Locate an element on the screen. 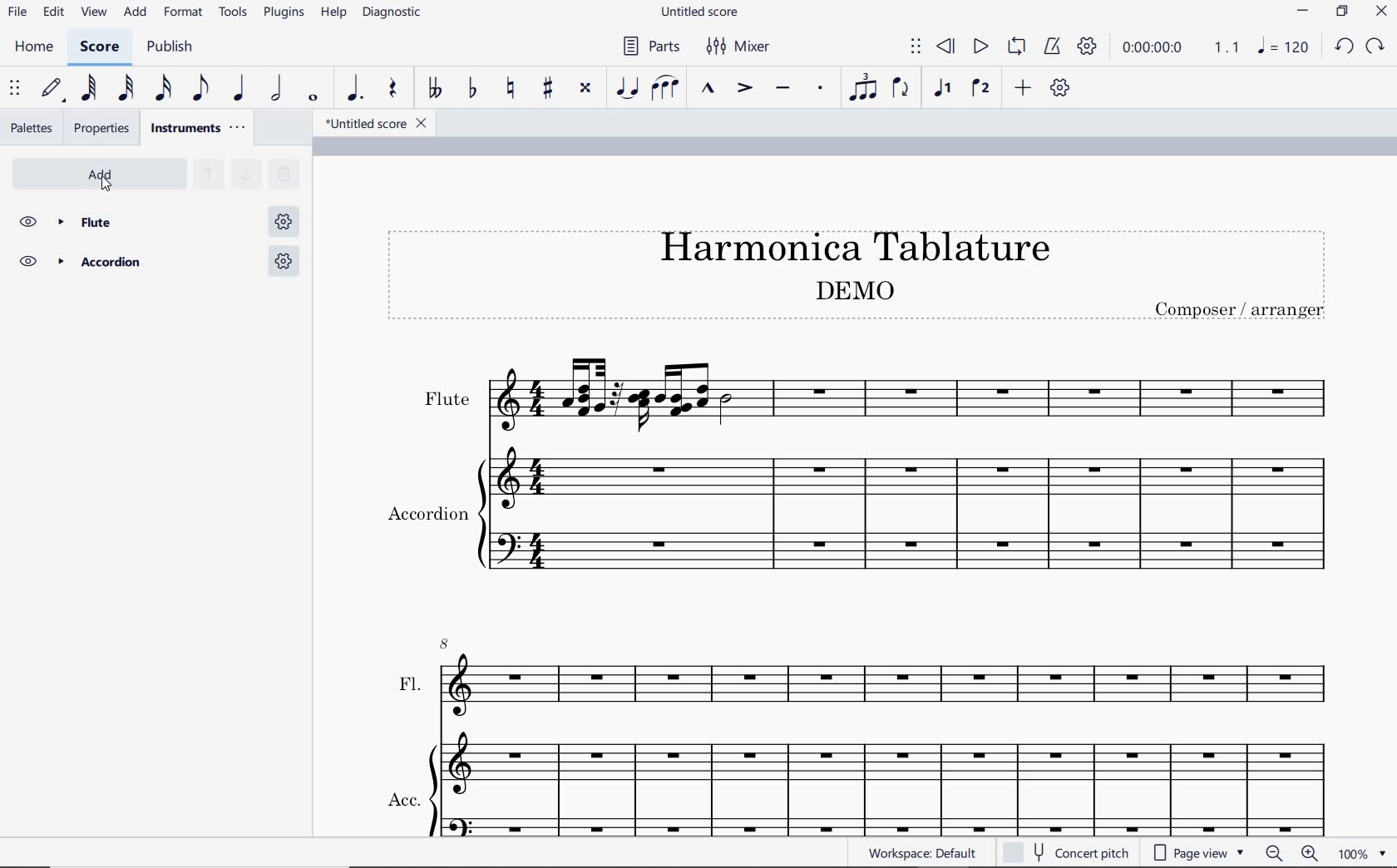  whole note is located at coordinates (311, 98).